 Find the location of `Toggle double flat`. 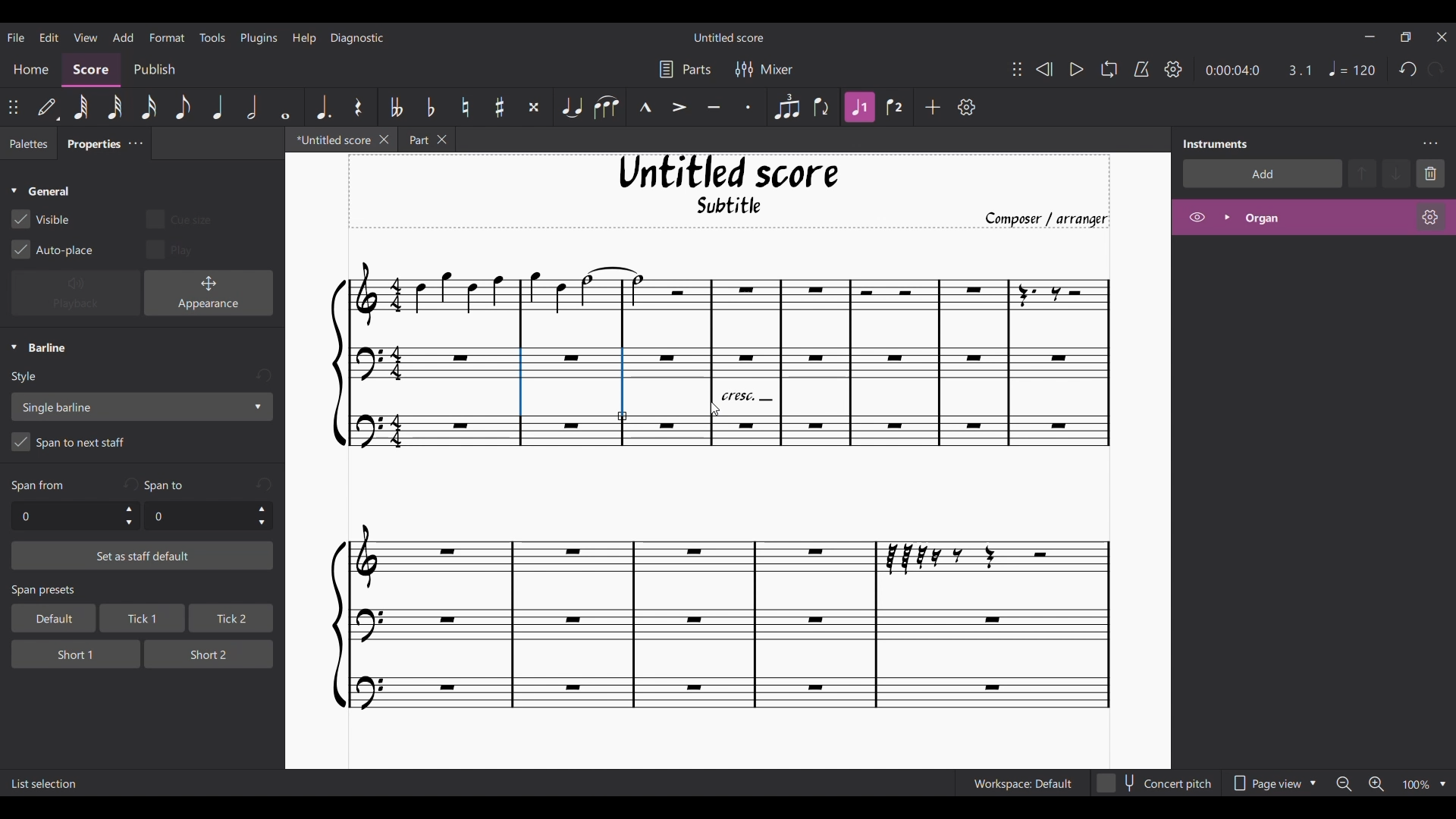

Toggle double flat is located at coordinates (394, 107).